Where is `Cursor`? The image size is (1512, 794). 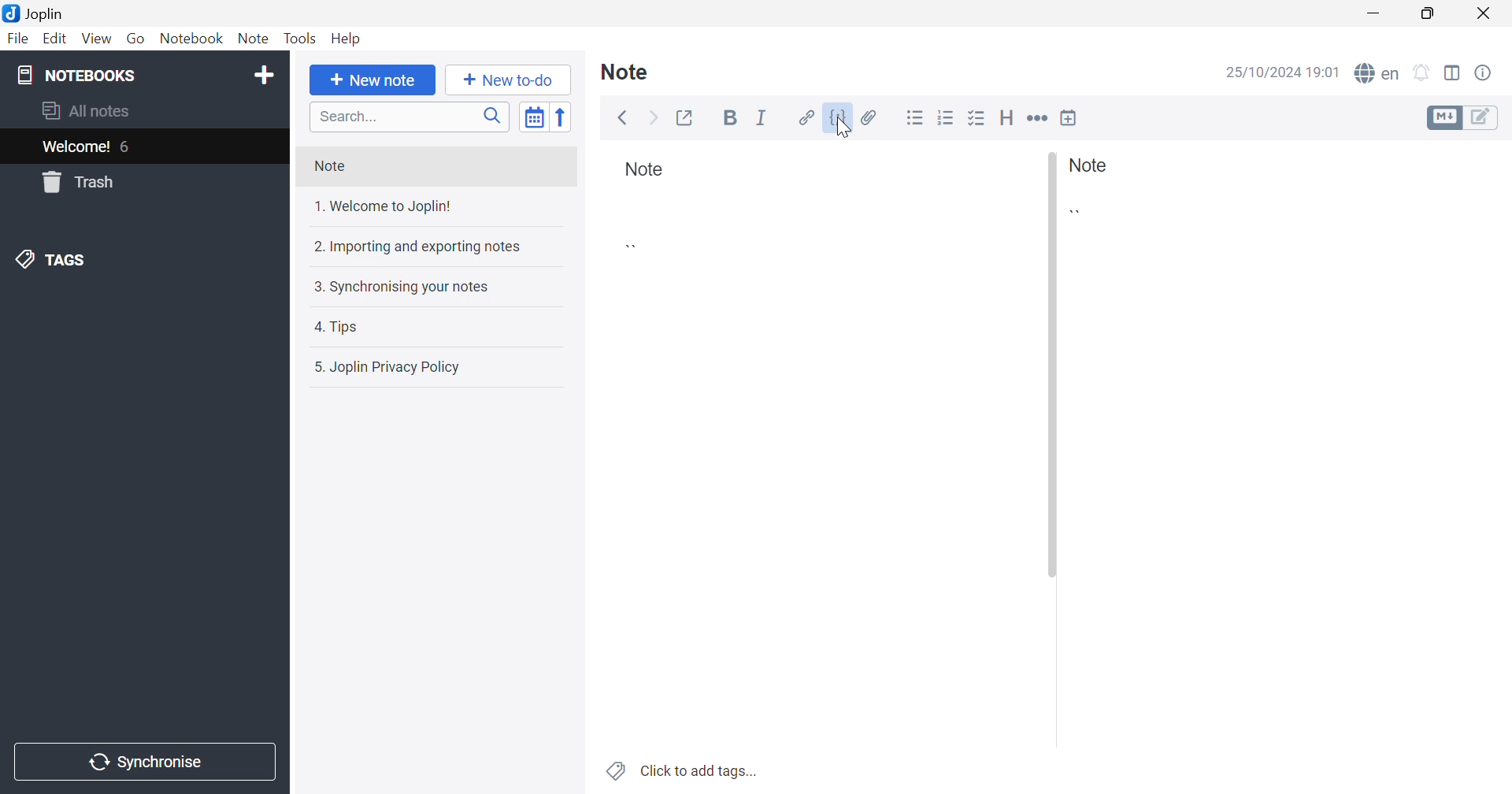
Cursor is located at coordinates (845, 129).